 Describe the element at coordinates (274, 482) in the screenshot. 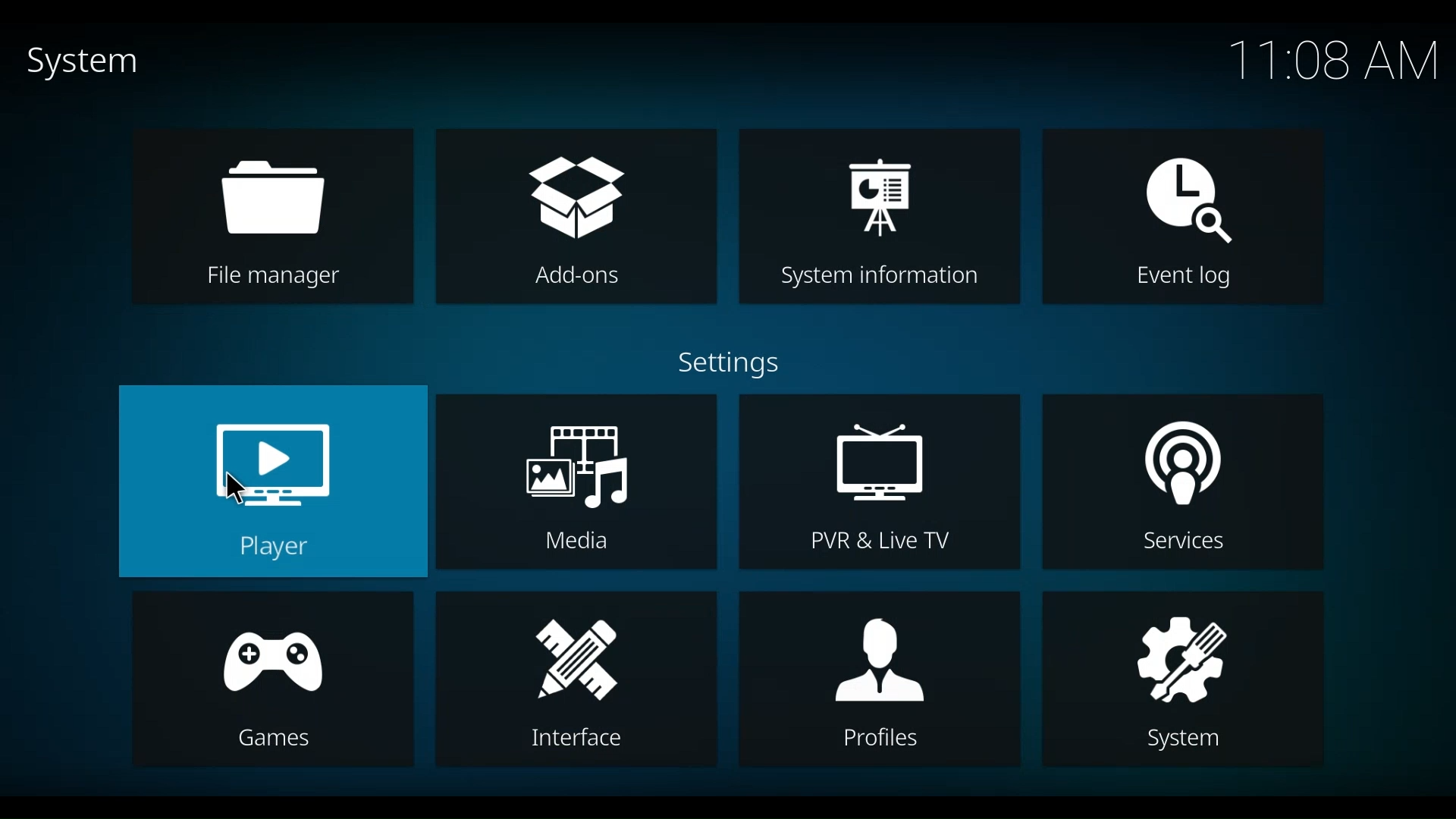

I see `Player` at that location.